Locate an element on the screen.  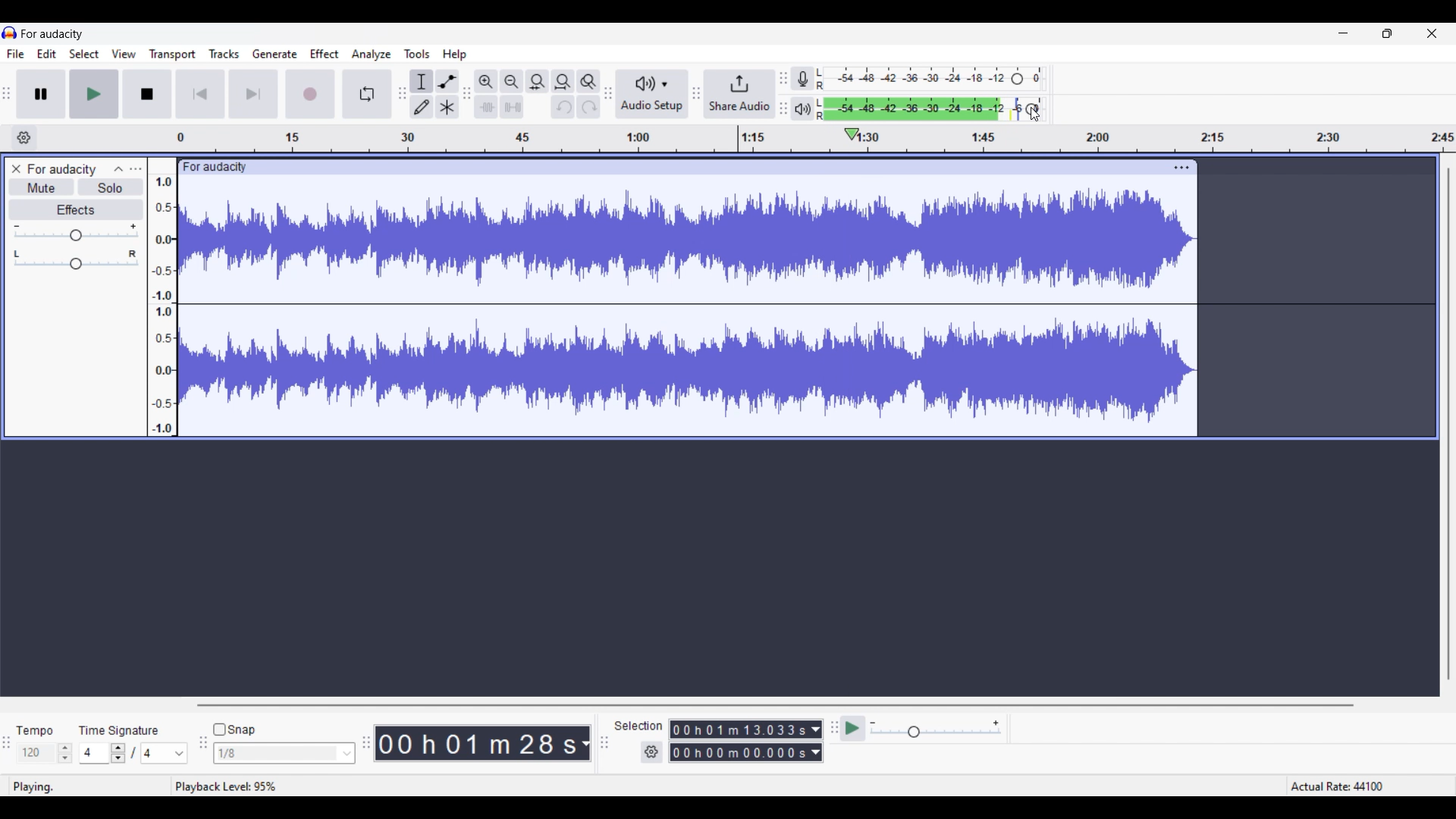
Pan slider is located at coordinates (75, 259).